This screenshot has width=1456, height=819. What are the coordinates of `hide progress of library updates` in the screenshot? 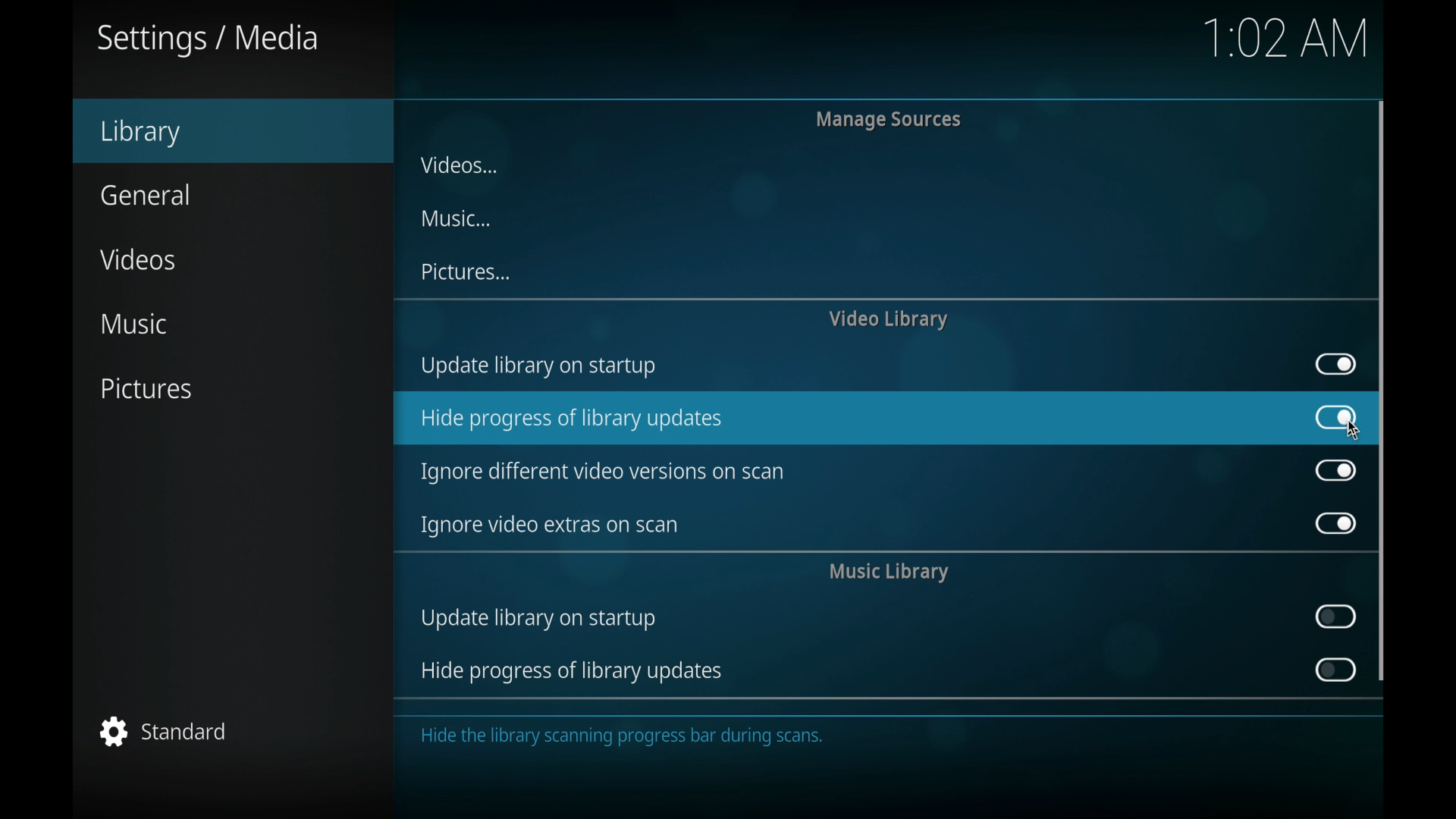 It's located at (570, 419).